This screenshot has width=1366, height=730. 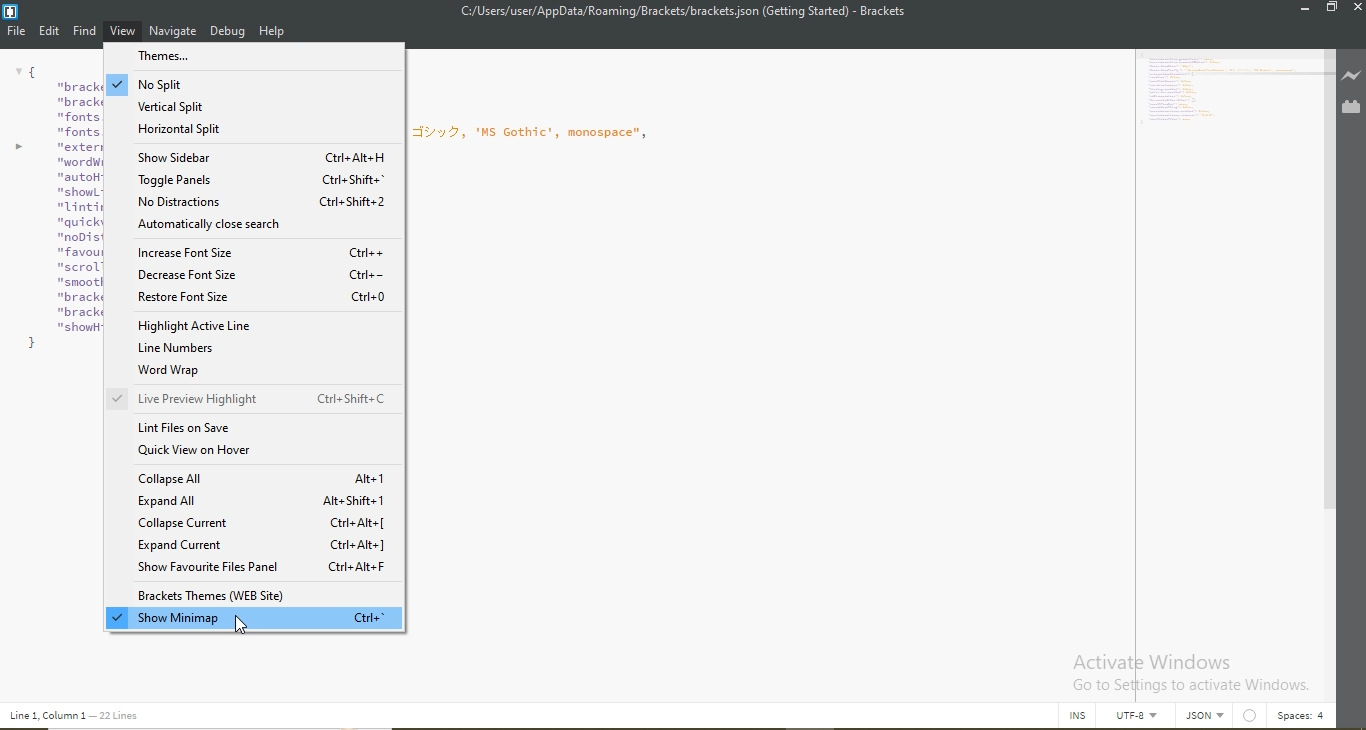 What do you see at coordinates (1233, 93) in the screenshot?
I see `minimap` at bounding box center [1233, 93].